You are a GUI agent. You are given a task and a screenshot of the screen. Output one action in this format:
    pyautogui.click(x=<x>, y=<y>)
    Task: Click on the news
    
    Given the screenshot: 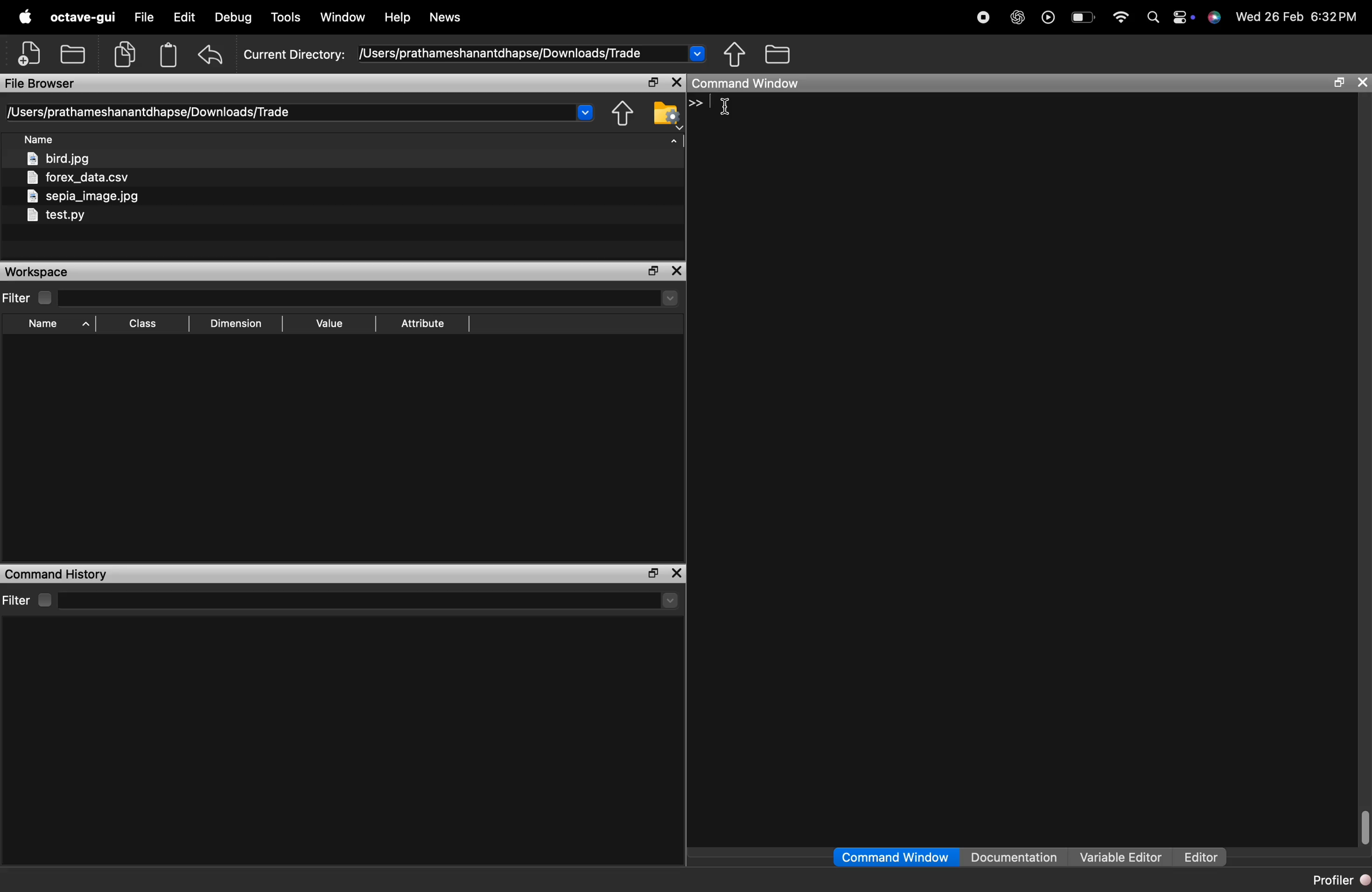 What is the action you would take?
    pyautogui.click(x=444, y=18)
    